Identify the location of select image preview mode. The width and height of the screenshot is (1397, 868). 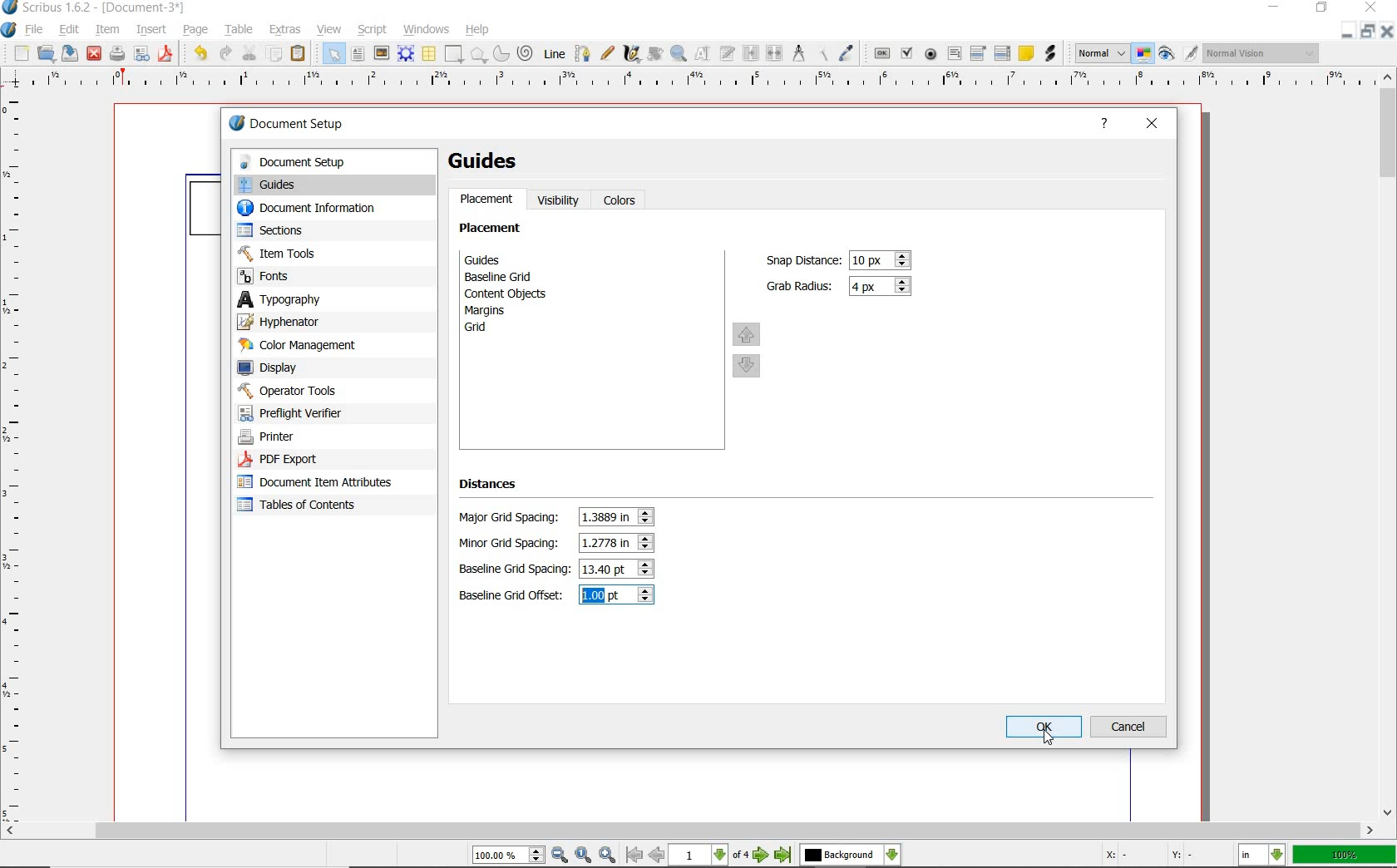
(1102, 52).